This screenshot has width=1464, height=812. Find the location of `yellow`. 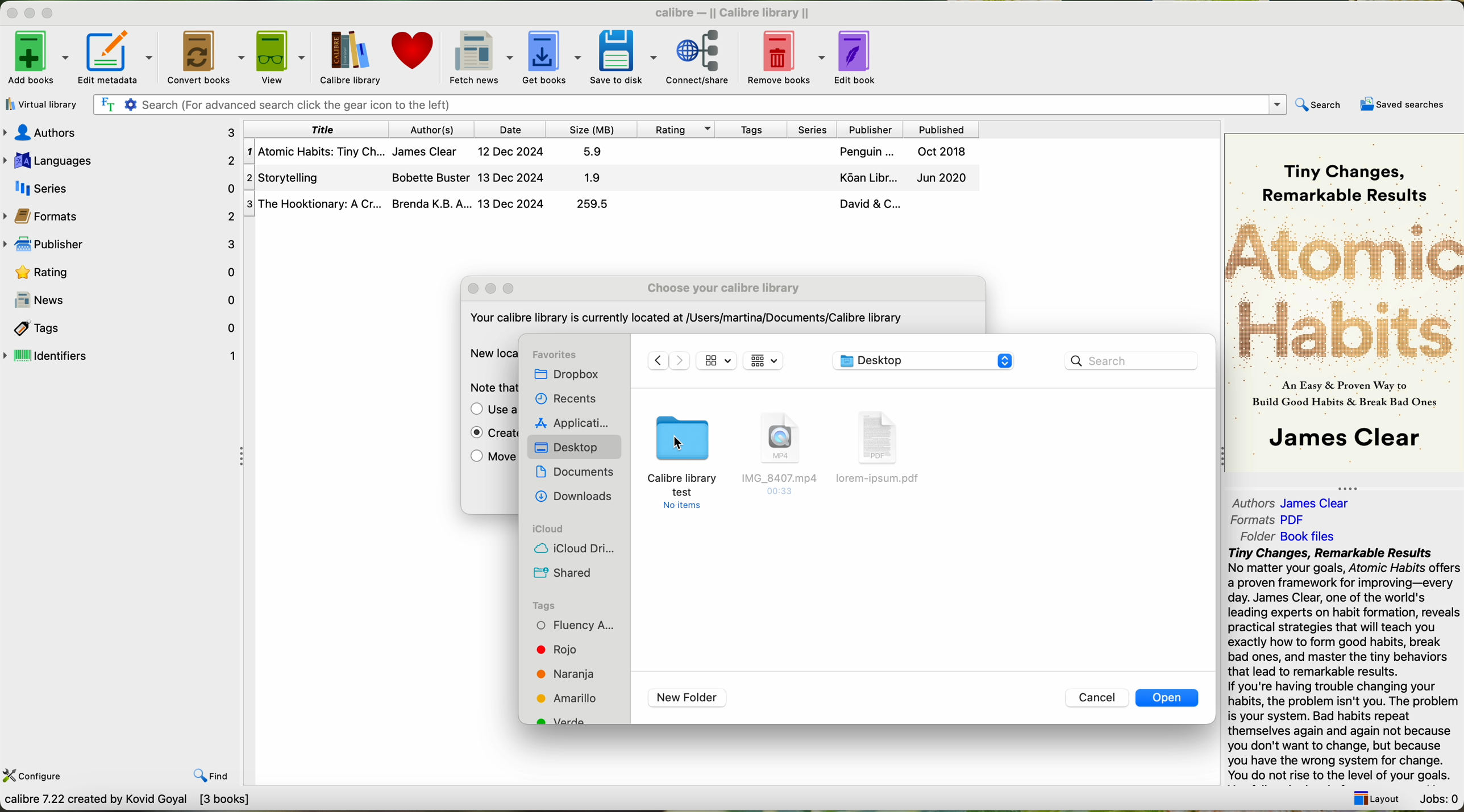

yellow is located at coordinates (568, 697).